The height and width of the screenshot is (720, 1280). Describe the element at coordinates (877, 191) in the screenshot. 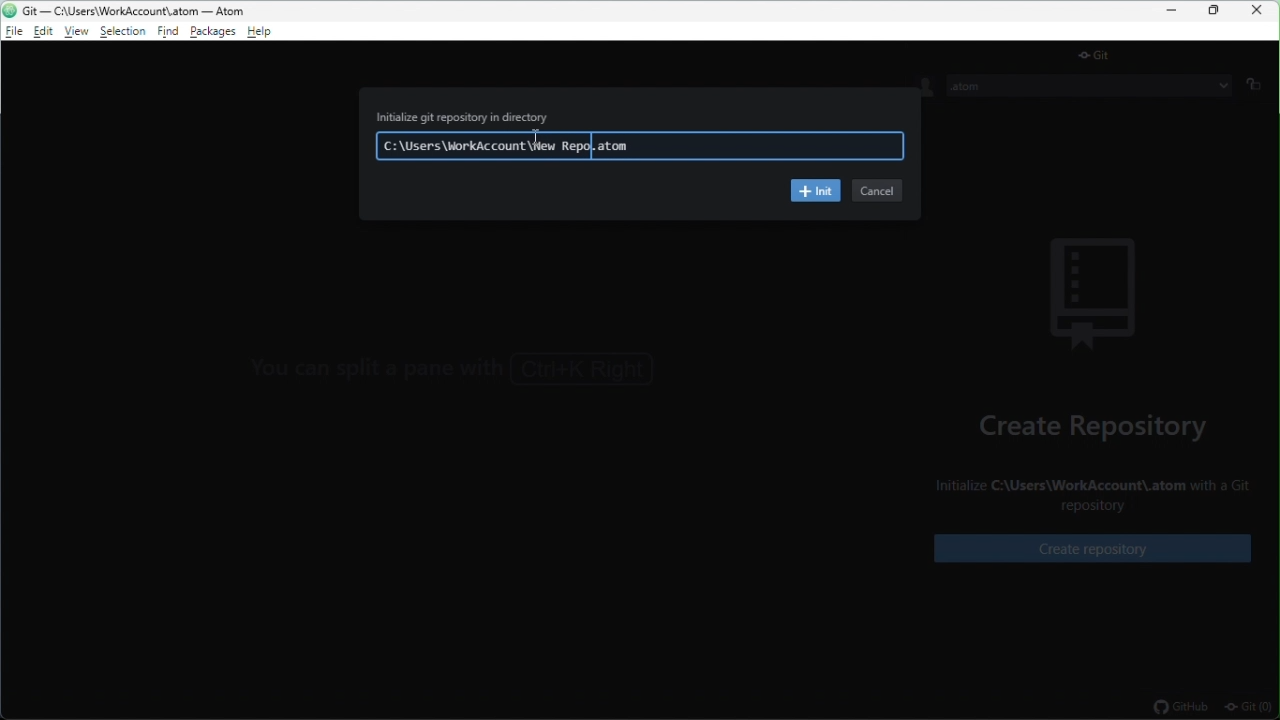

I see `cancel` at that location.